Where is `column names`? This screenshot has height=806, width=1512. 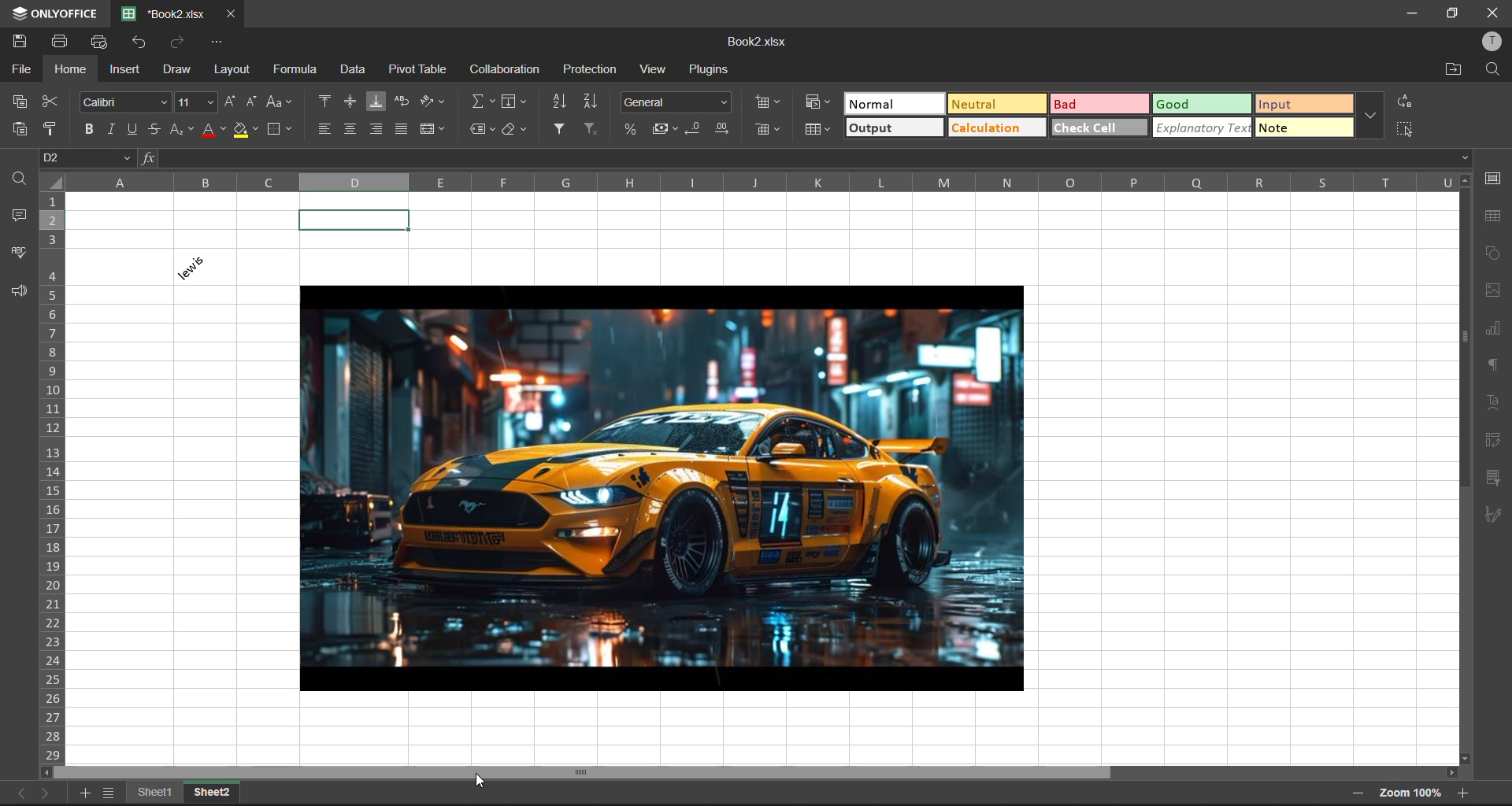
column names is located at coordinates (773, 181).